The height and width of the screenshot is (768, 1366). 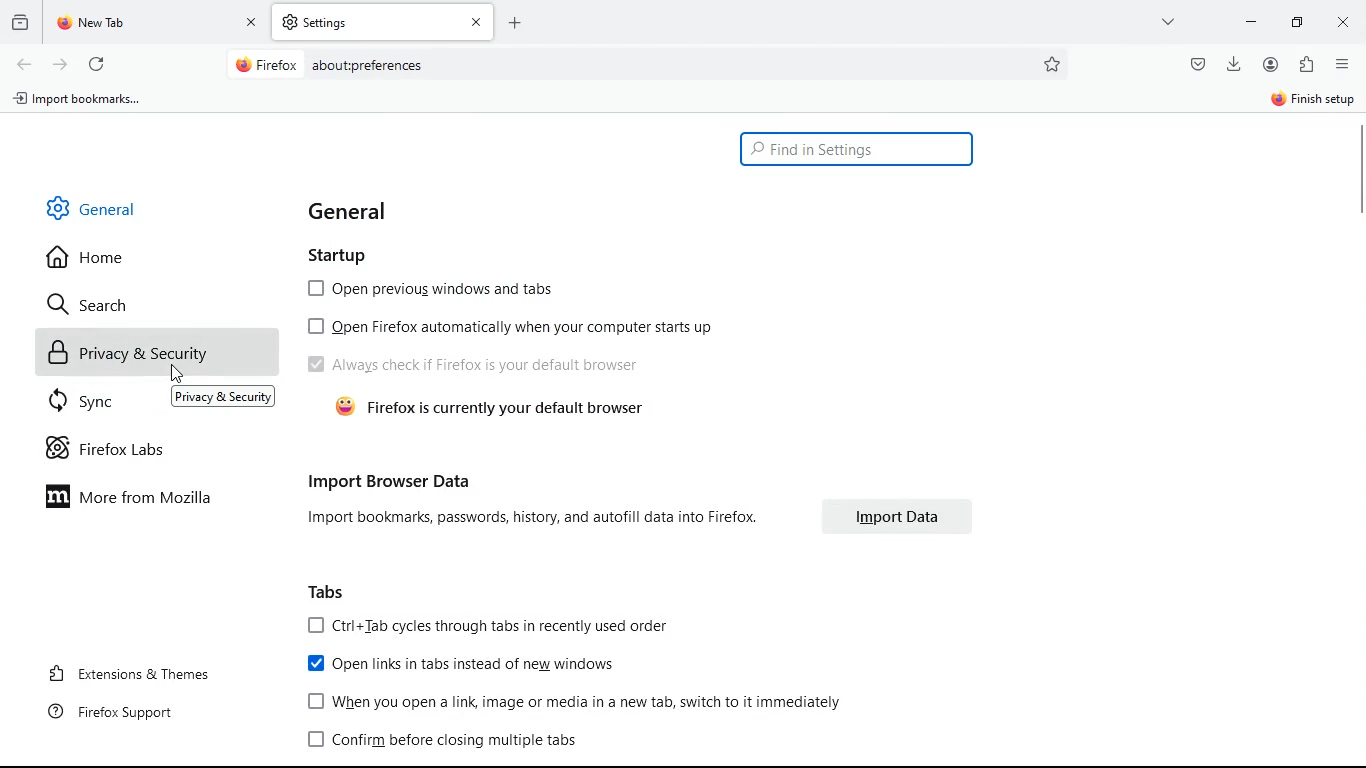 What do you see at coordinates (441, 290) in the screenshot?
I see `open Previous windows and tabs` at bounding box center [441, 290].